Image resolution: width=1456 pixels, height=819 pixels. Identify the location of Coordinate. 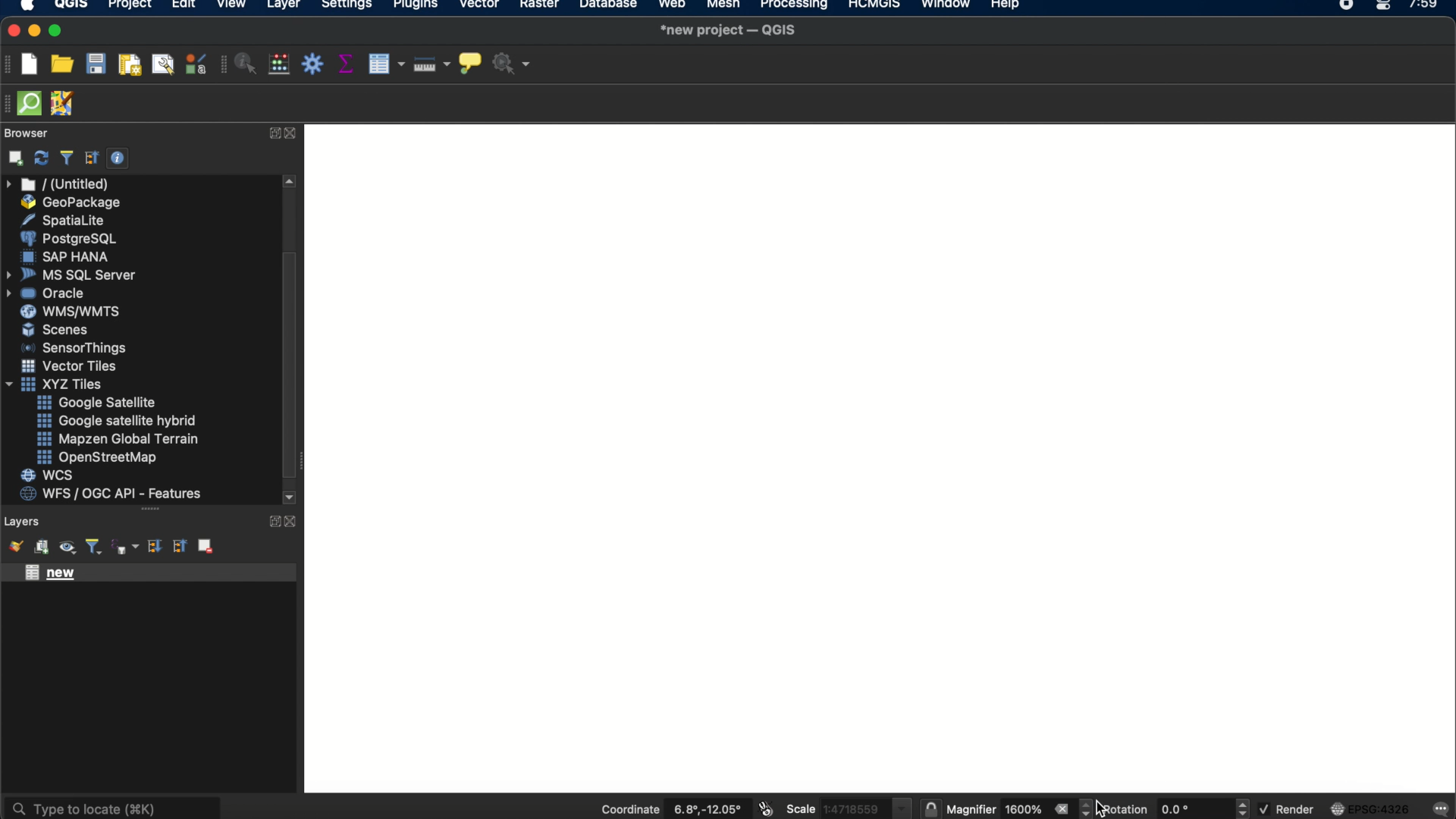
(670, 808).